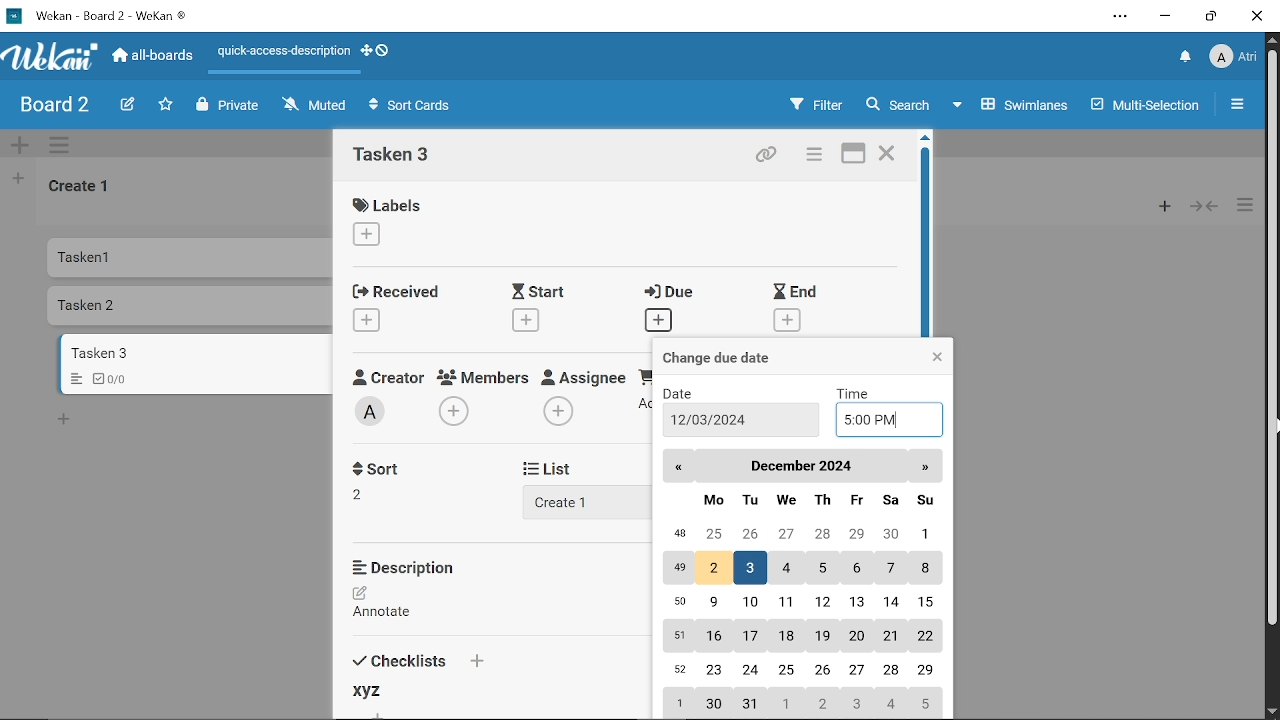  Describe the element at coordinates (524, 319) in the screenshot. I see `Add start date` at that location.